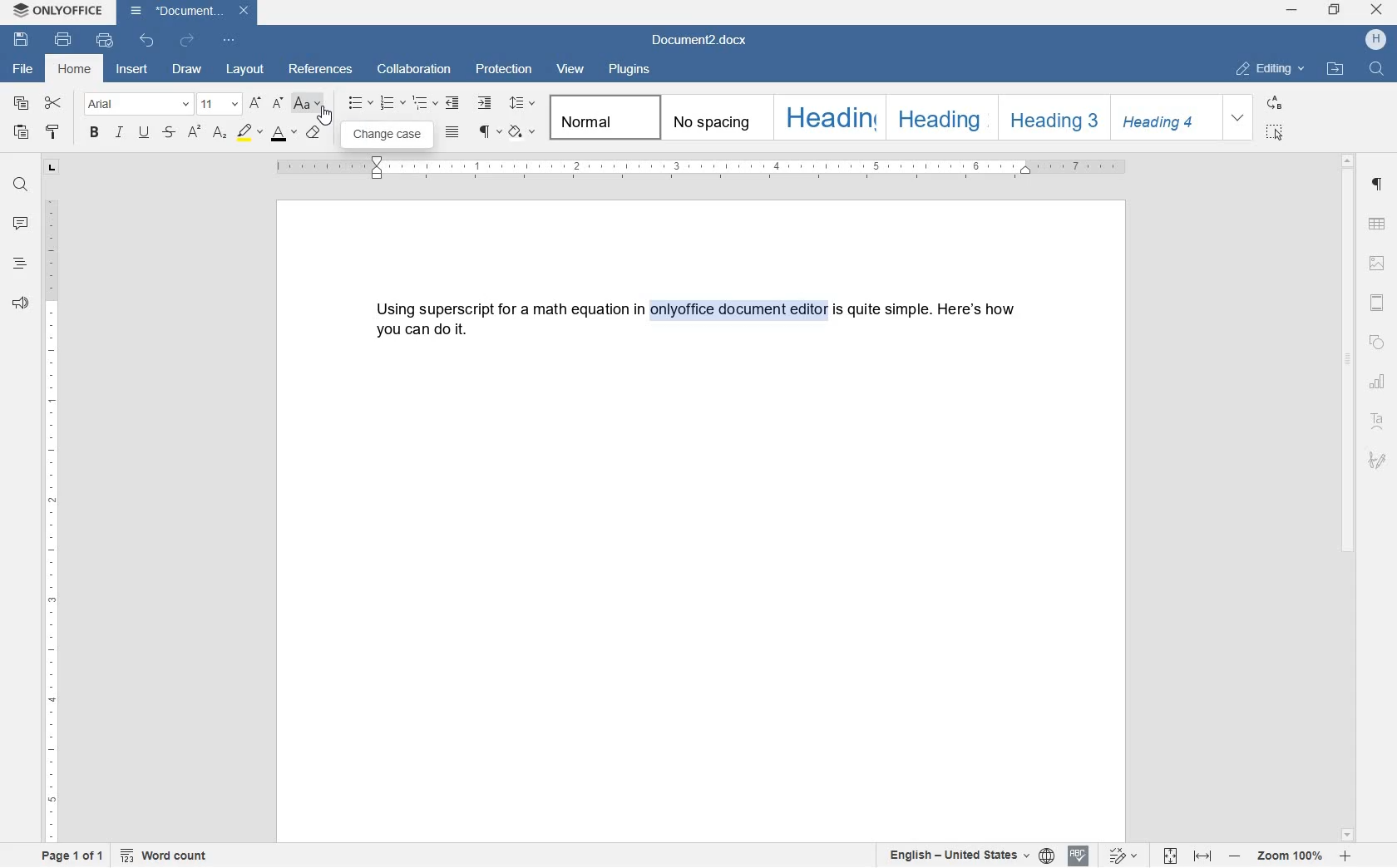  Describe the element at coordinates (54, 102) in the screenshot. I see `cut` at that location.